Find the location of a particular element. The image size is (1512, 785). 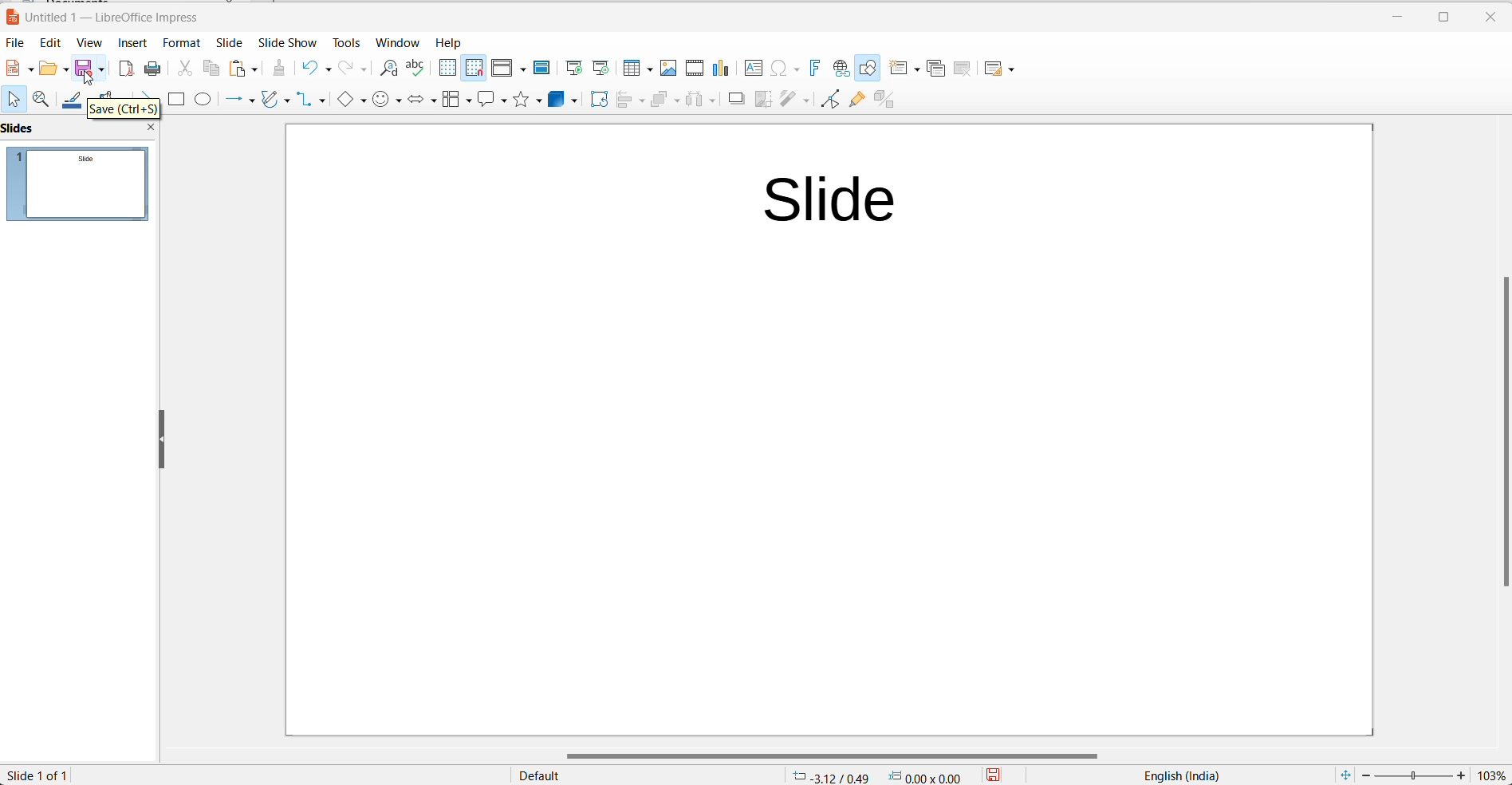

Toggle end point edit mode is located at coordinates (828, 101).